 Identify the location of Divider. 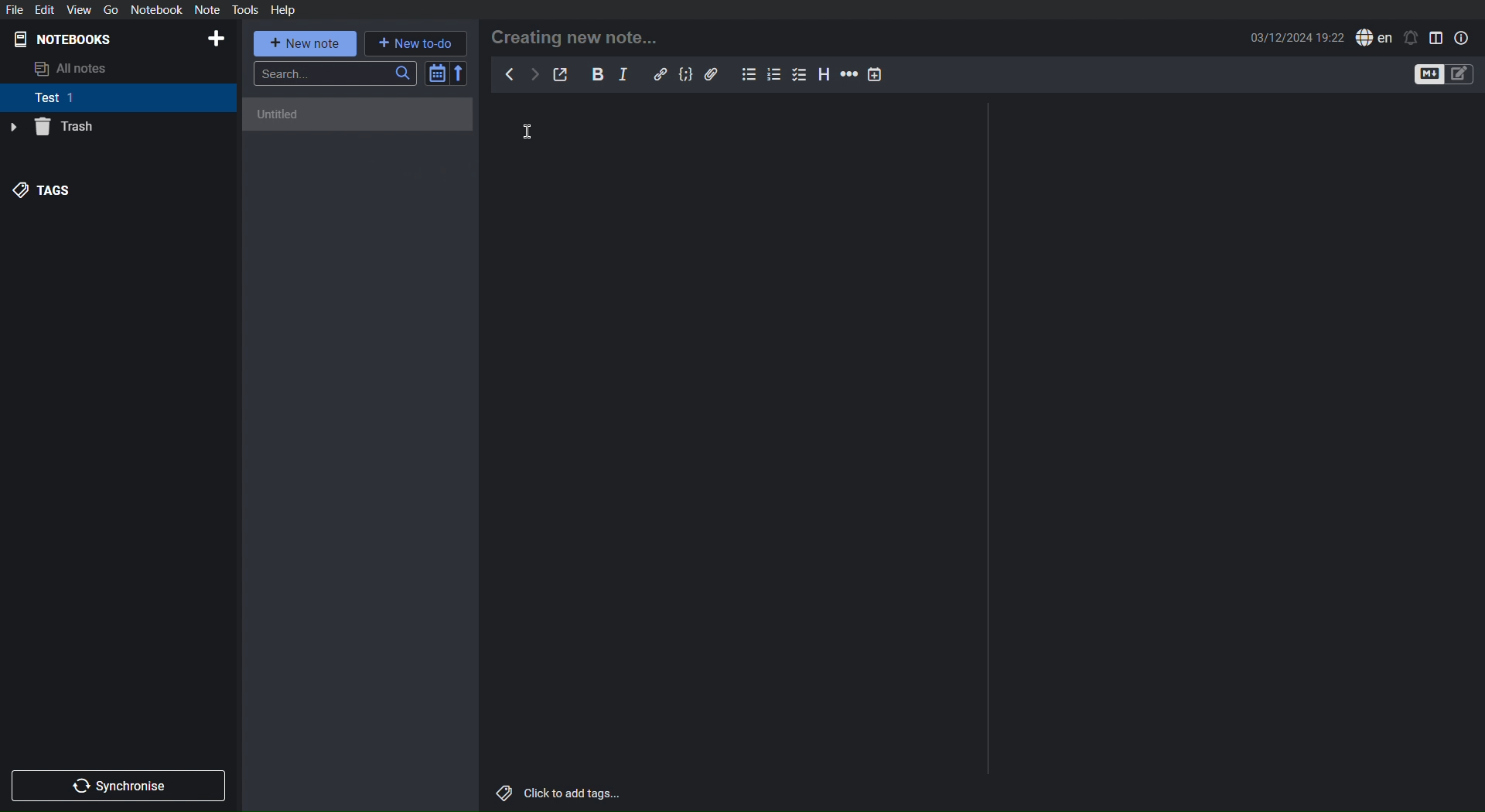
(987, 439).